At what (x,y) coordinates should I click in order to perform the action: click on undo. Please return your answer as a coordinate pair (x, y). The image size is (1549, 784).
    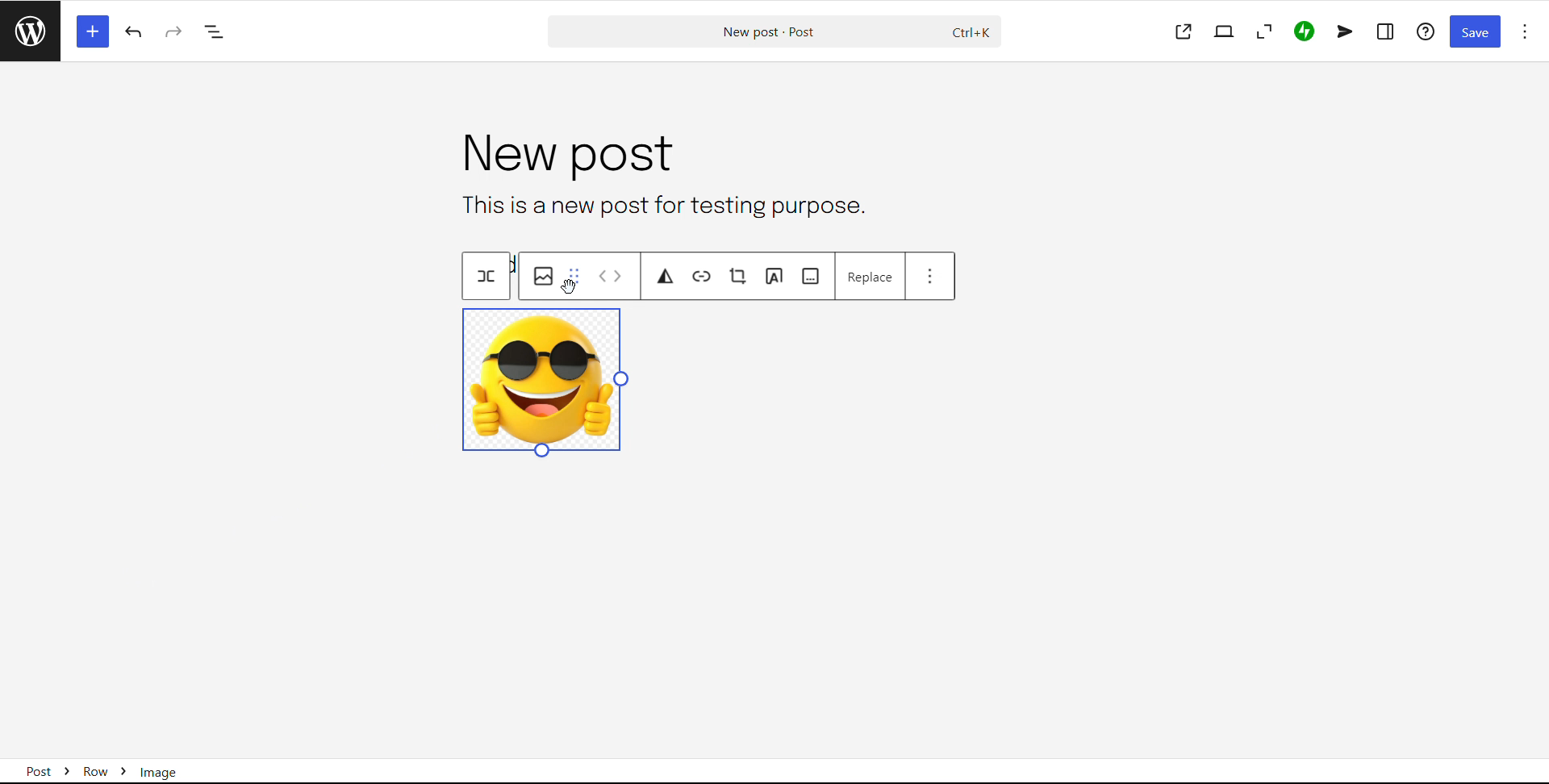
    Looking at the image, I should click on (136, 32).